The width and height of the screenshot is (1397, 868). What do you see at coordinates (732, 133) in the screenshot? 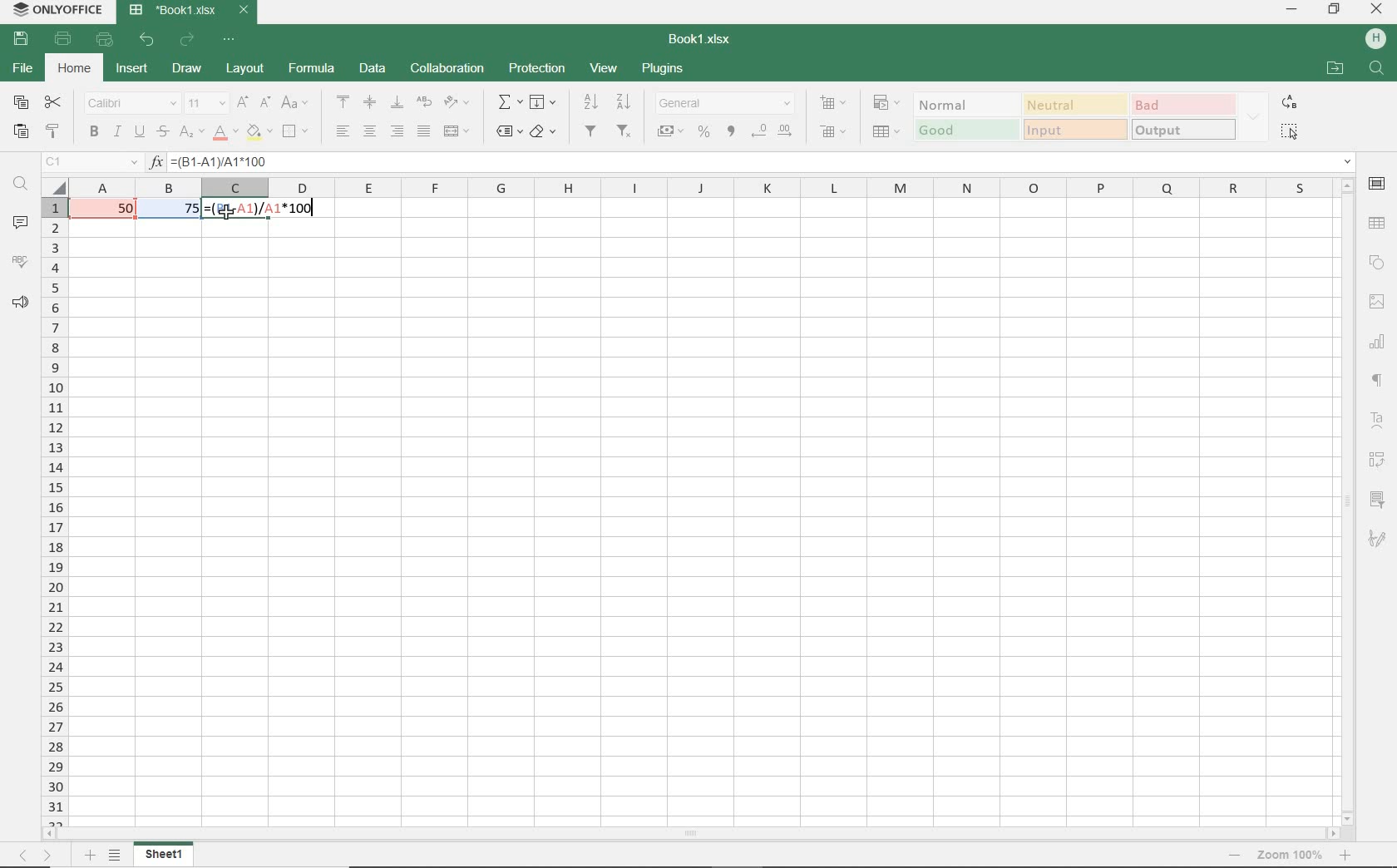
I see `comma style` at bounding box center [732, 133].